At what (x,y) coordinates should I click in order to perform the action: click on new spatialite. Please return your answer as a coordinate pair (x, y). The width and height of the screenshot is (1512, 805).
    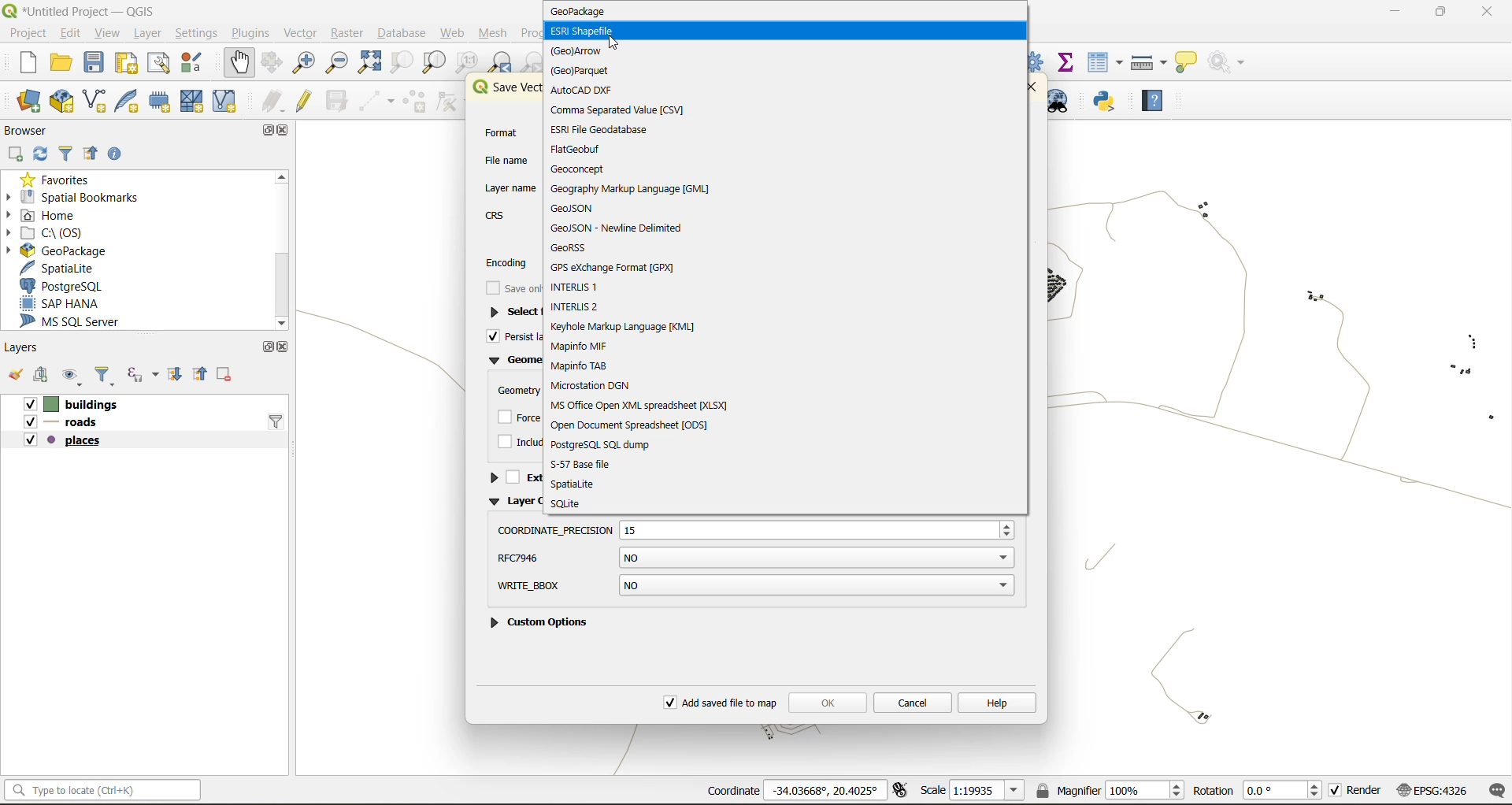
    Looking at the image, I should click on (128, 99).